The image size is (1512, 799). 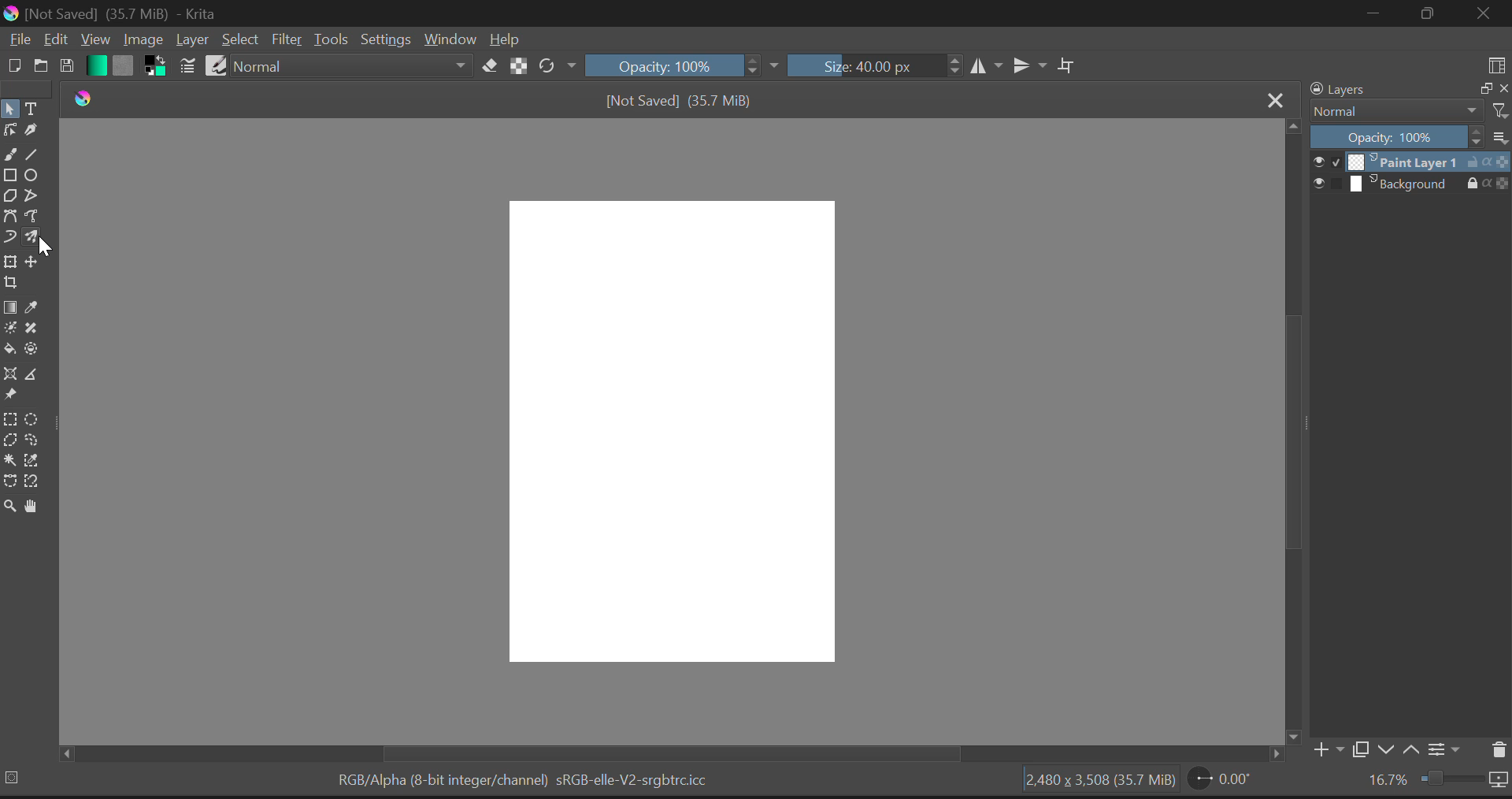 What do you see at coordinates (10, 216) in the screenshot?
I see `Bezier Curve` at bounding box center [10, 216].